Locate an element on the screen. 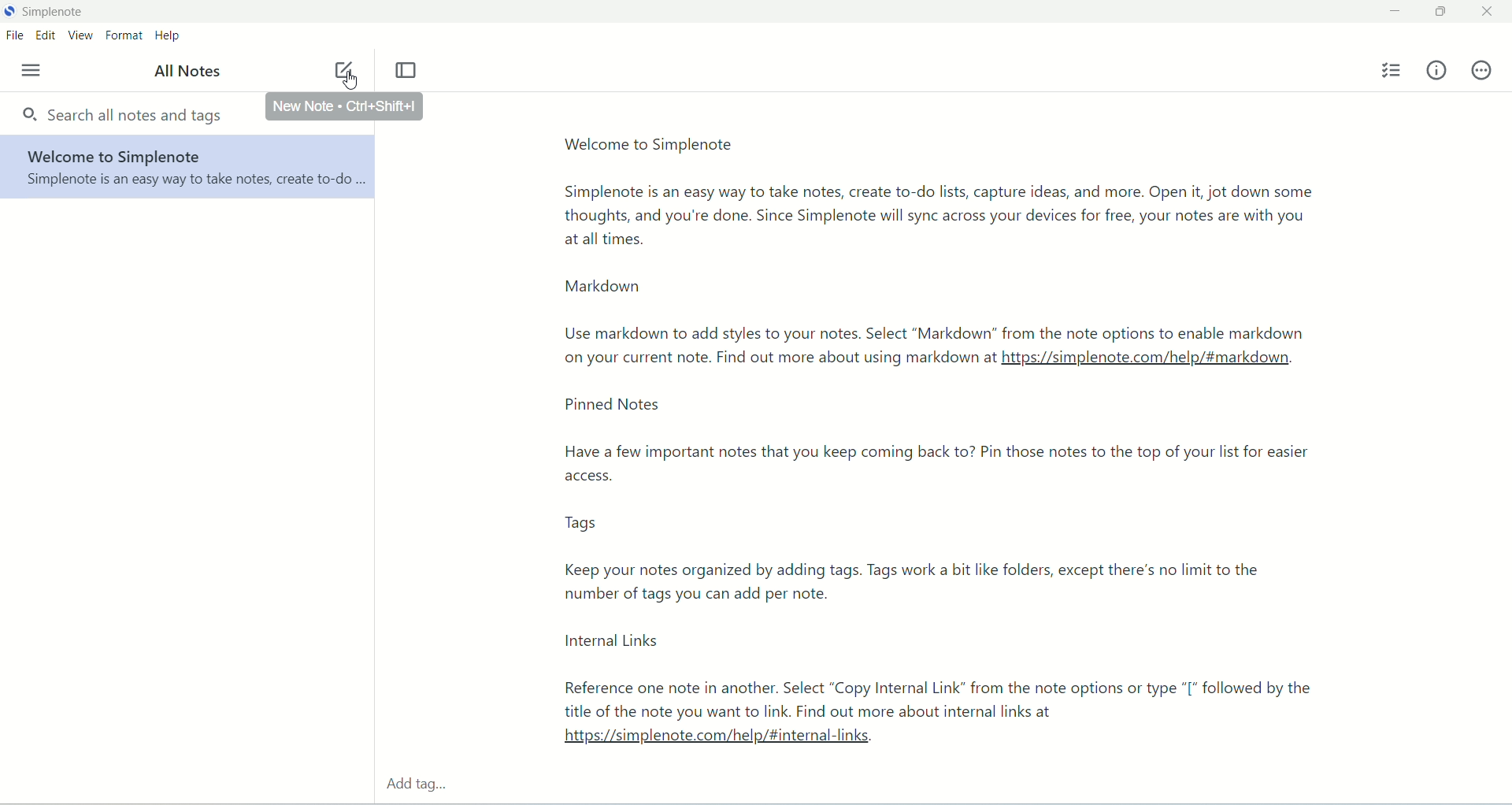 The height and width of the screenshot is (805, 1512). add tag is located at coordinates (424, 779).